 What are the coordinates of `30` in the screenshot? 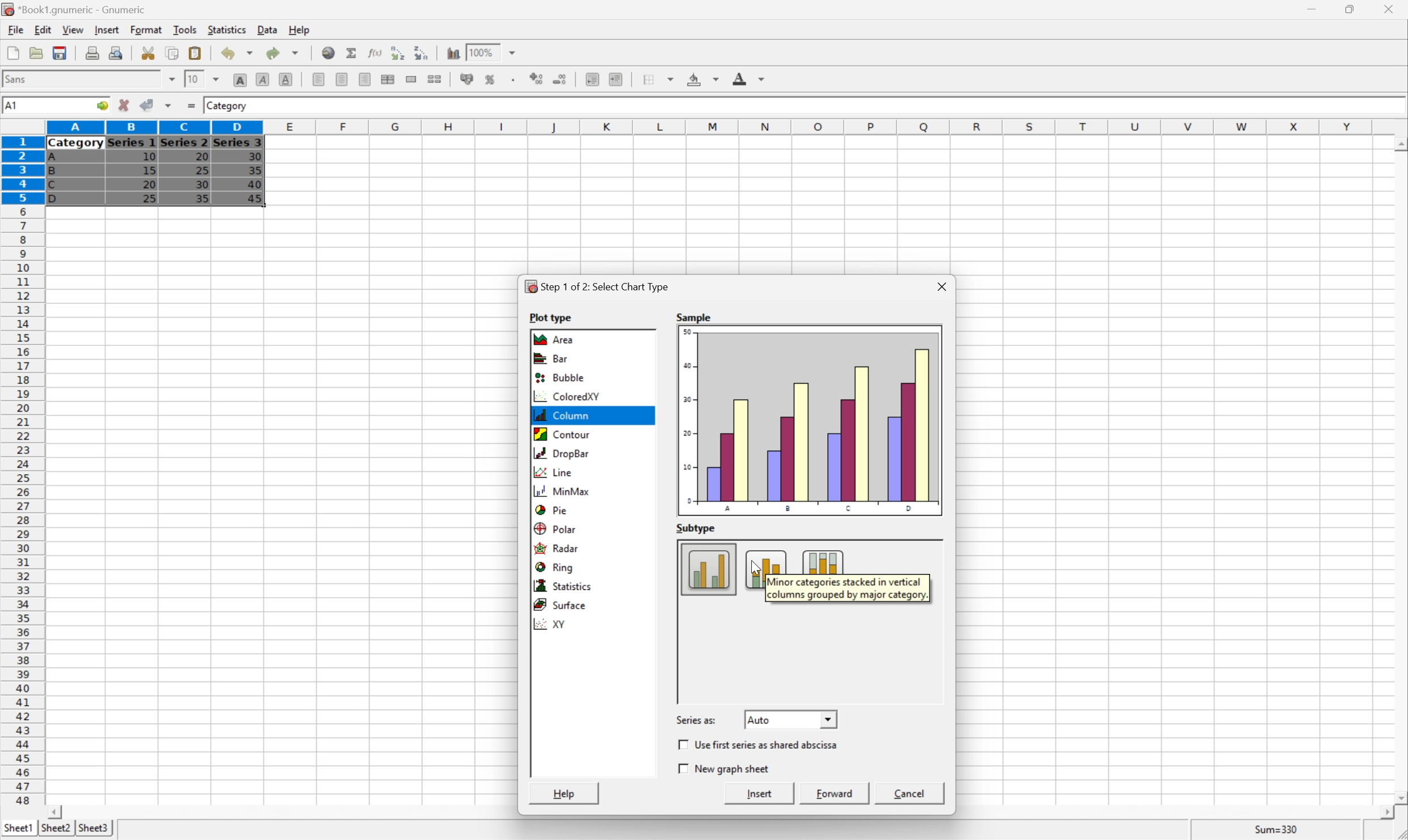 It's located at (203, 186).